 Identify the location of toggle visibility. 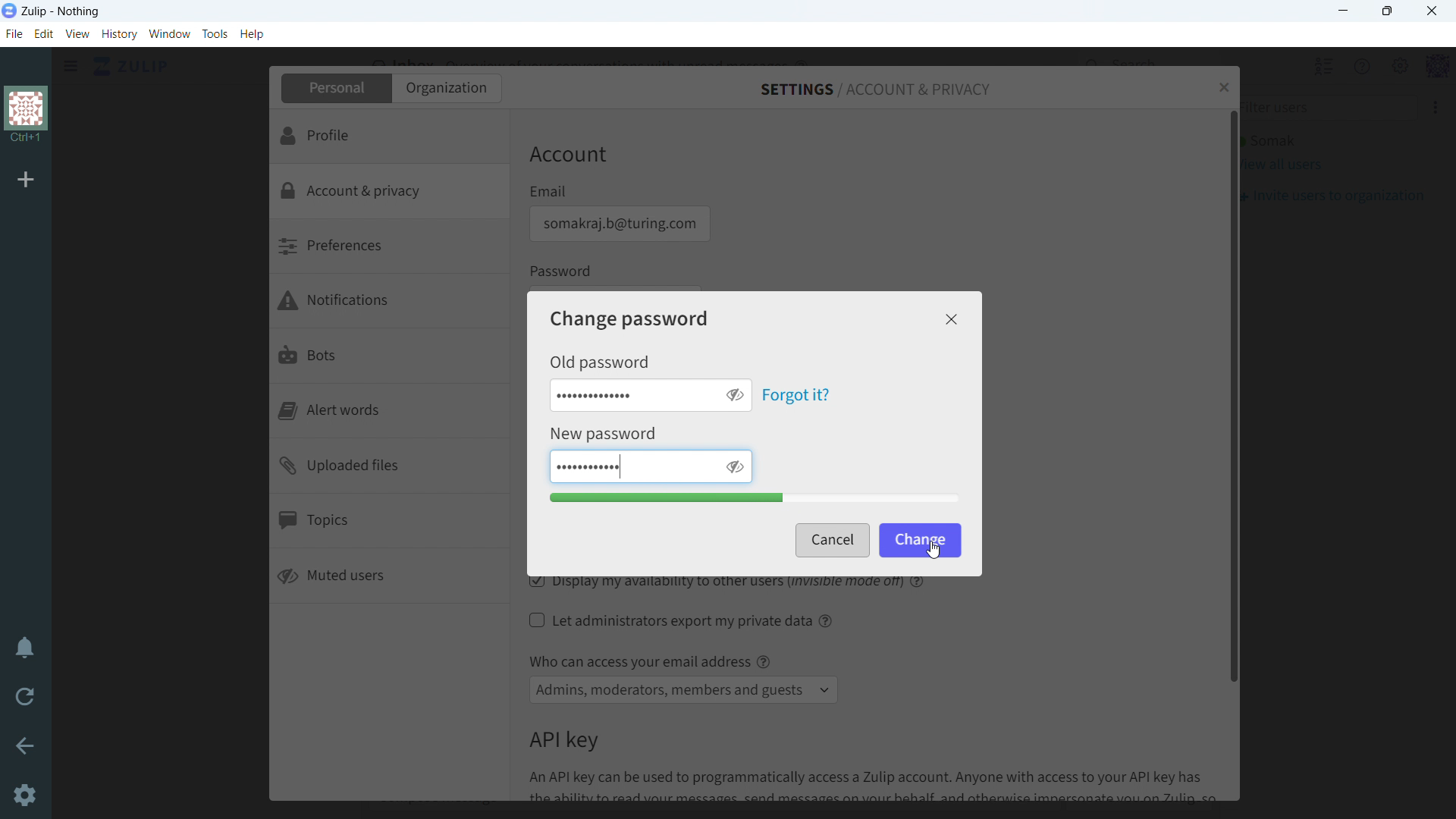
(734, 466).